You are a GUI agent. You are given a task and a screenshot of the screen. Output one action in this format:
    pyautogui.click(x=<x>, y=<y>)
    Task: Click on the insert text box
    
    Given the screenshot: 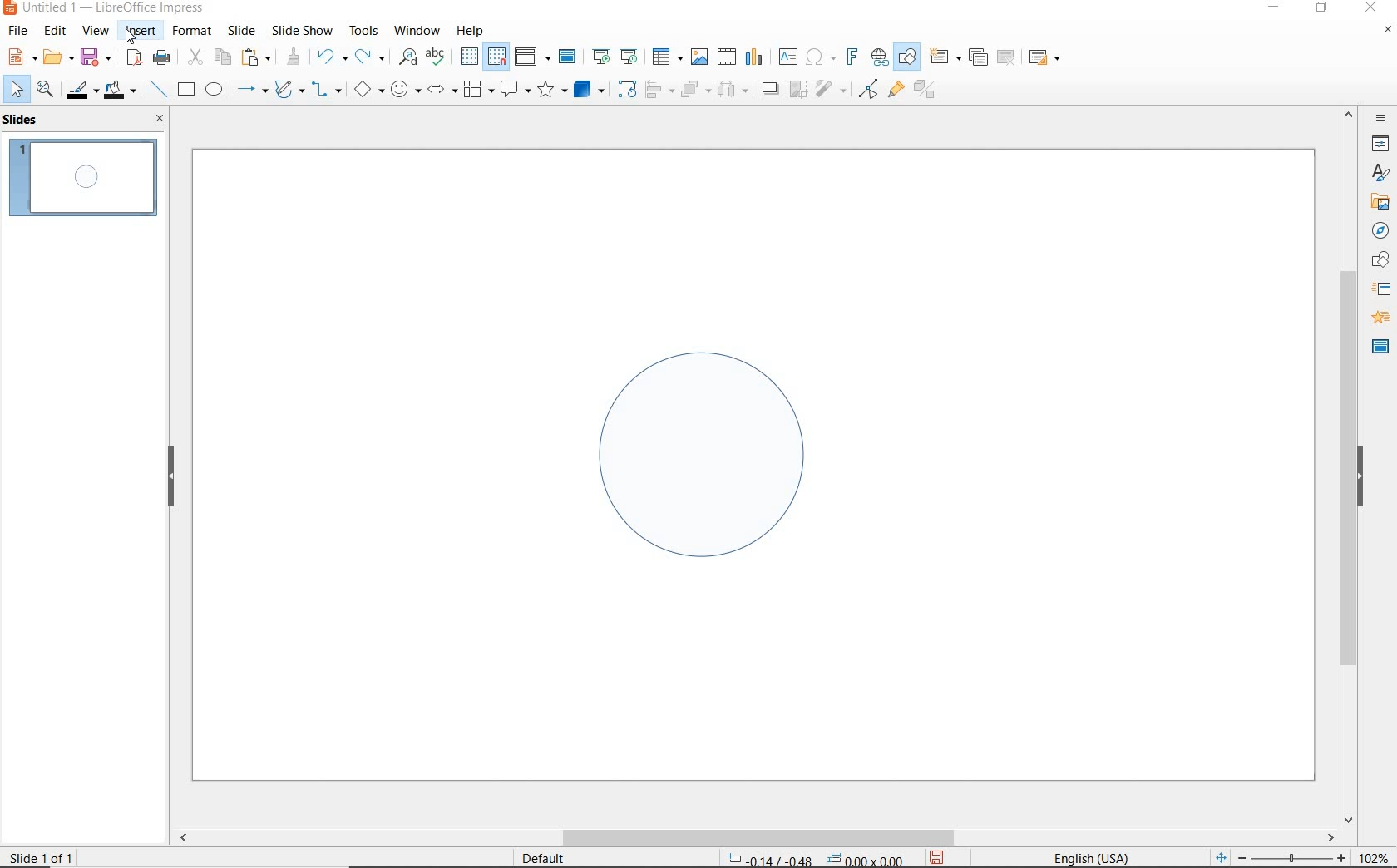 What is the action you would take?
    pyautogui.click(x=787, y=57)
    